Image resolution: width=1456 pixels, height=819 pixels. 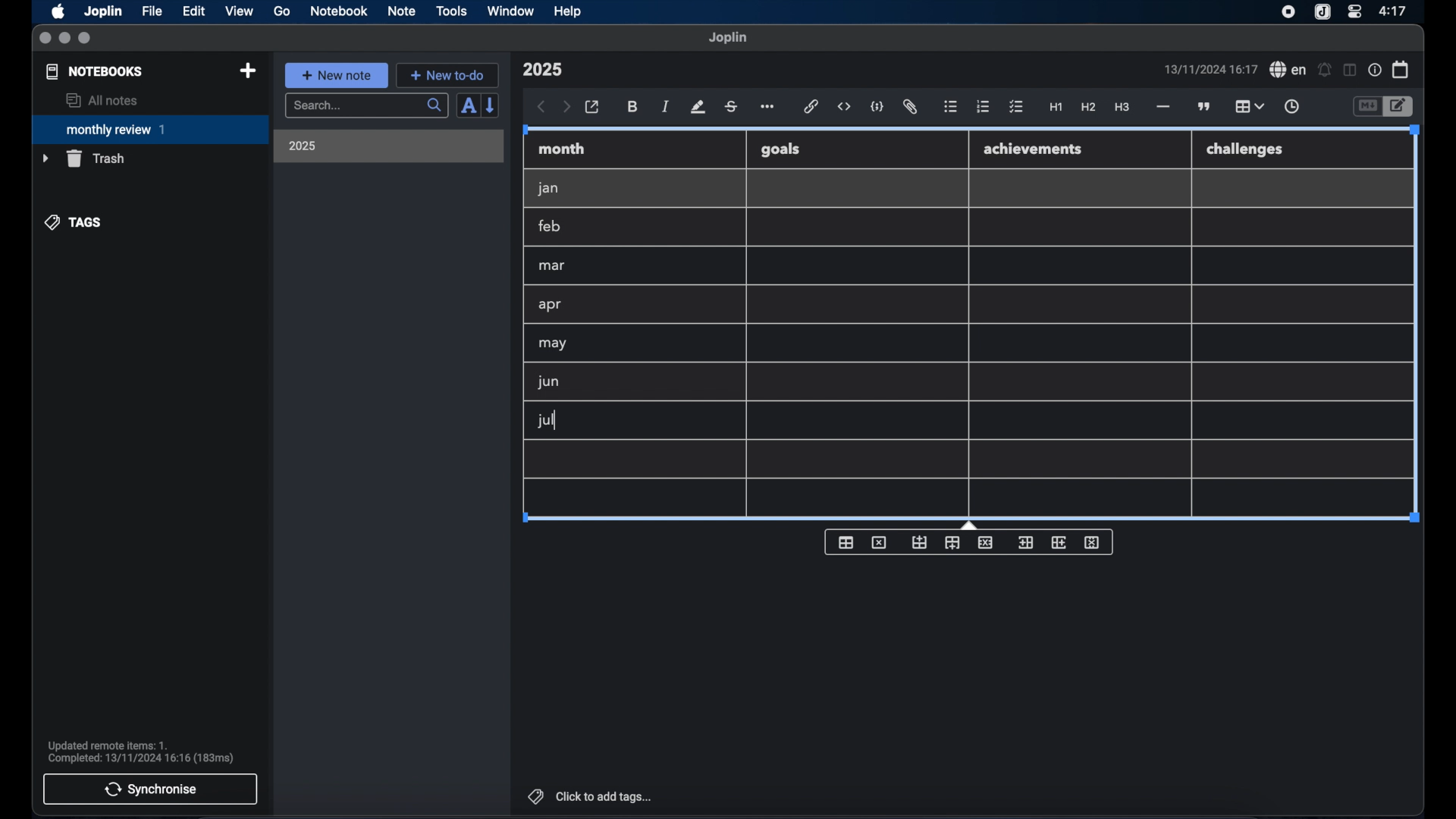 I want to click on delete table, so click(x=879, y=543).